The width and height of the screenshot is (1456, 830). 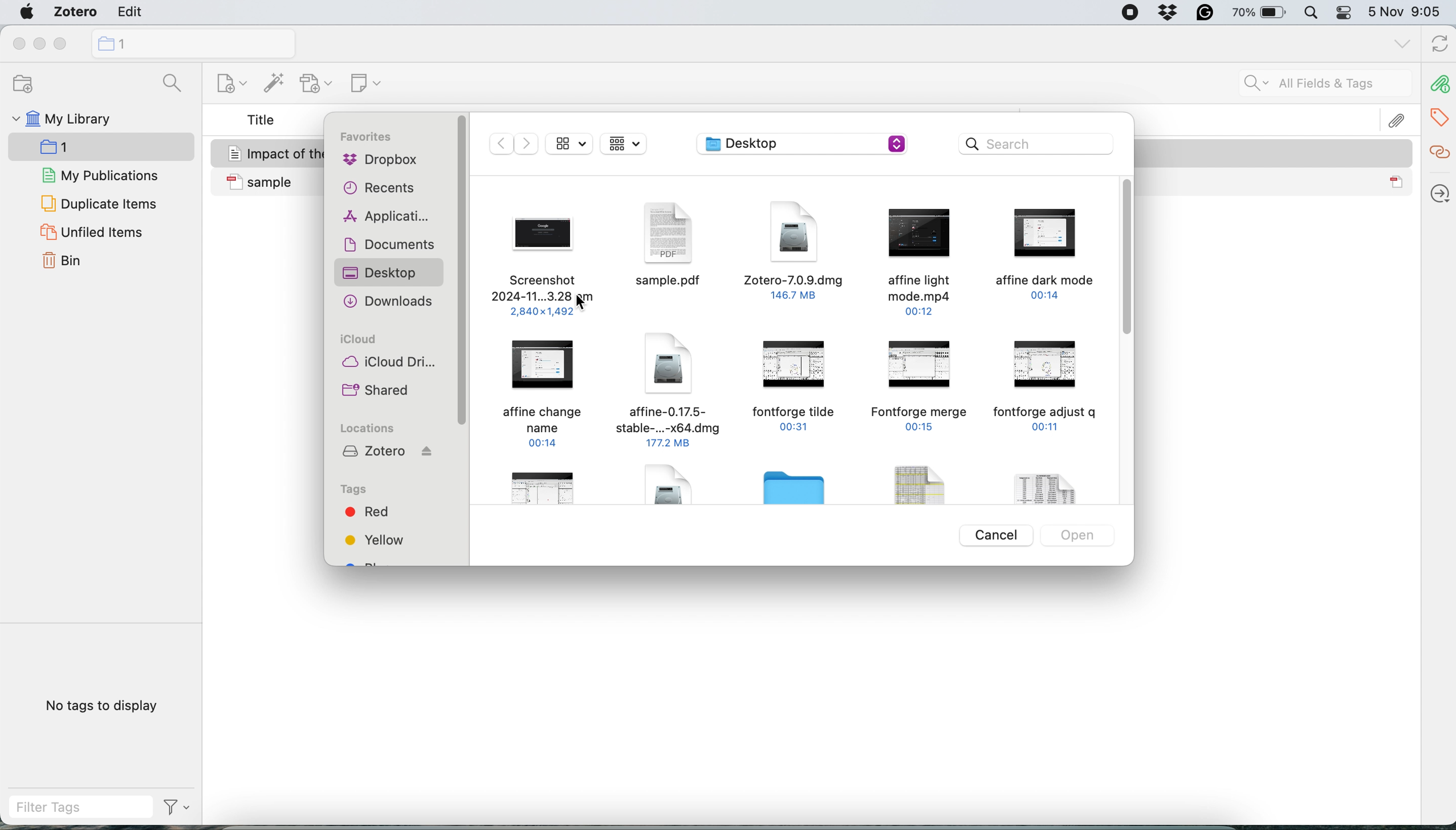 What do you see at coordinates (1275, 153) in the screenshot?
I see `Impact of the Information Technology on the Accounting System  Jasim and Raewf` at bounding box center [1275, 153].